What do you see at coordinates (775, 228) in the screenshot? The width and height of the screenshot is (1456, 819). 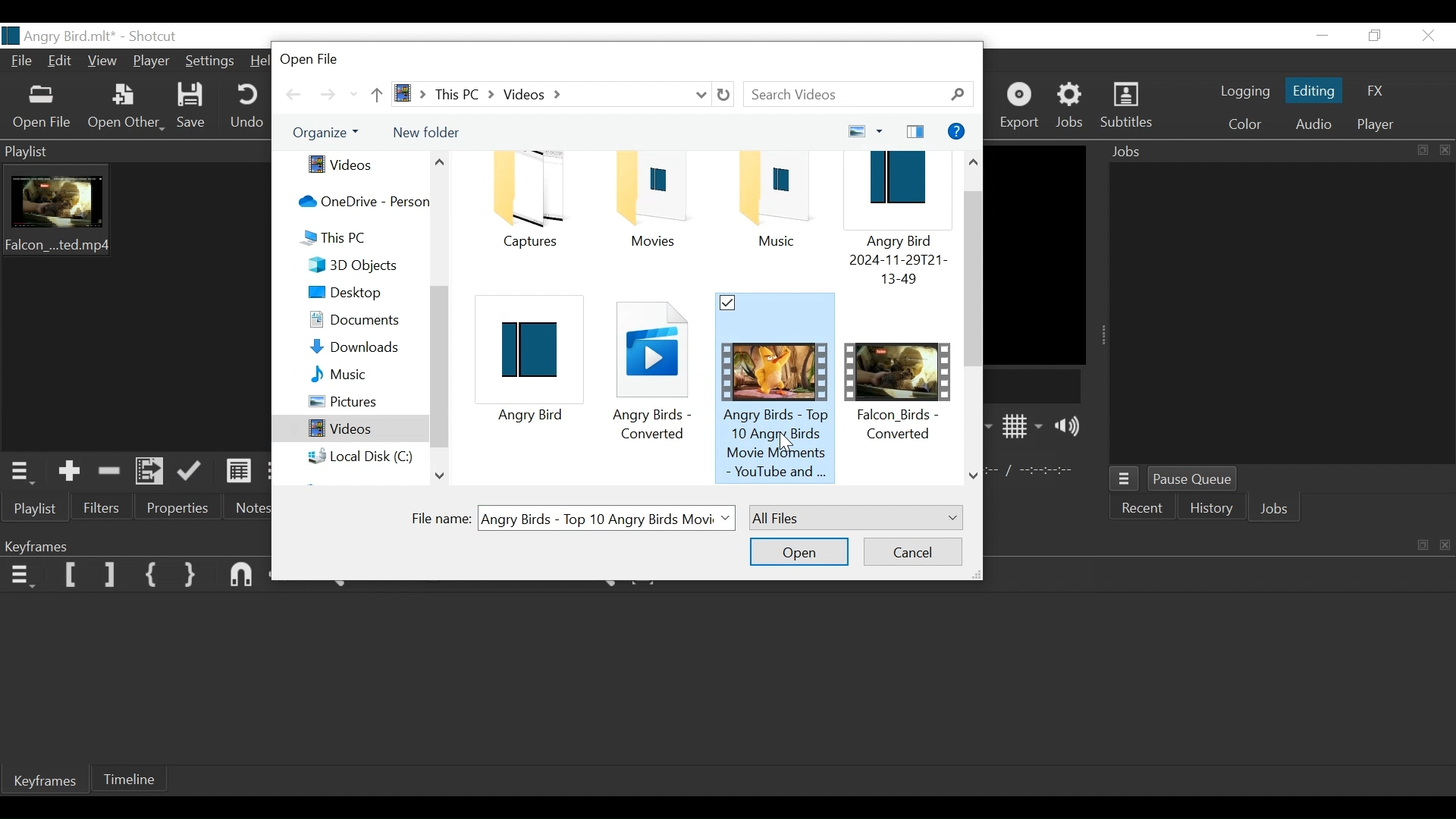 I see `Project Folder` at bounding box center [775, 228].